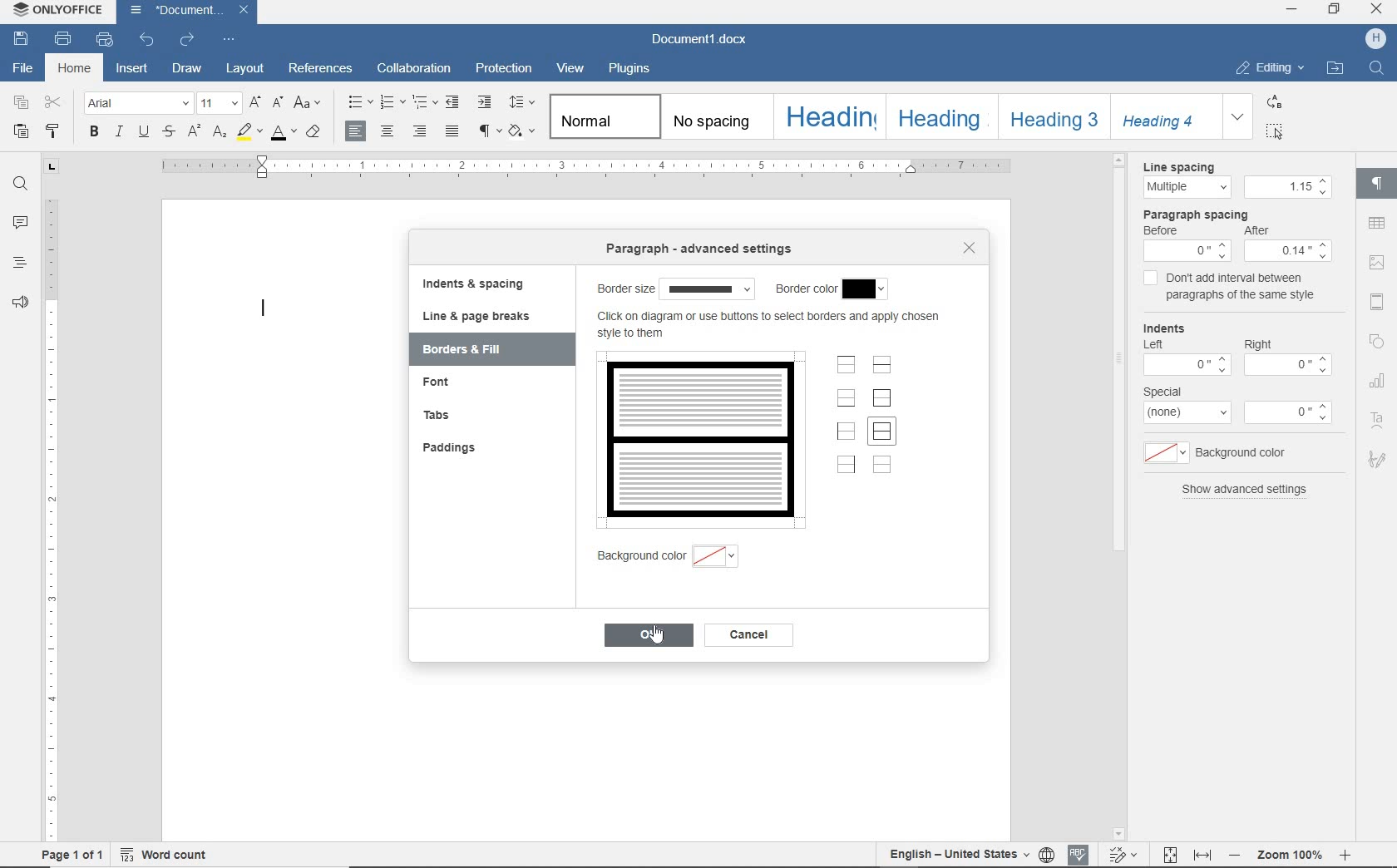 This screenshot has height=868, width=1397. Describe the element at coordinates (1080, 853) in the screenshot. I see `Spell Check` at that location.